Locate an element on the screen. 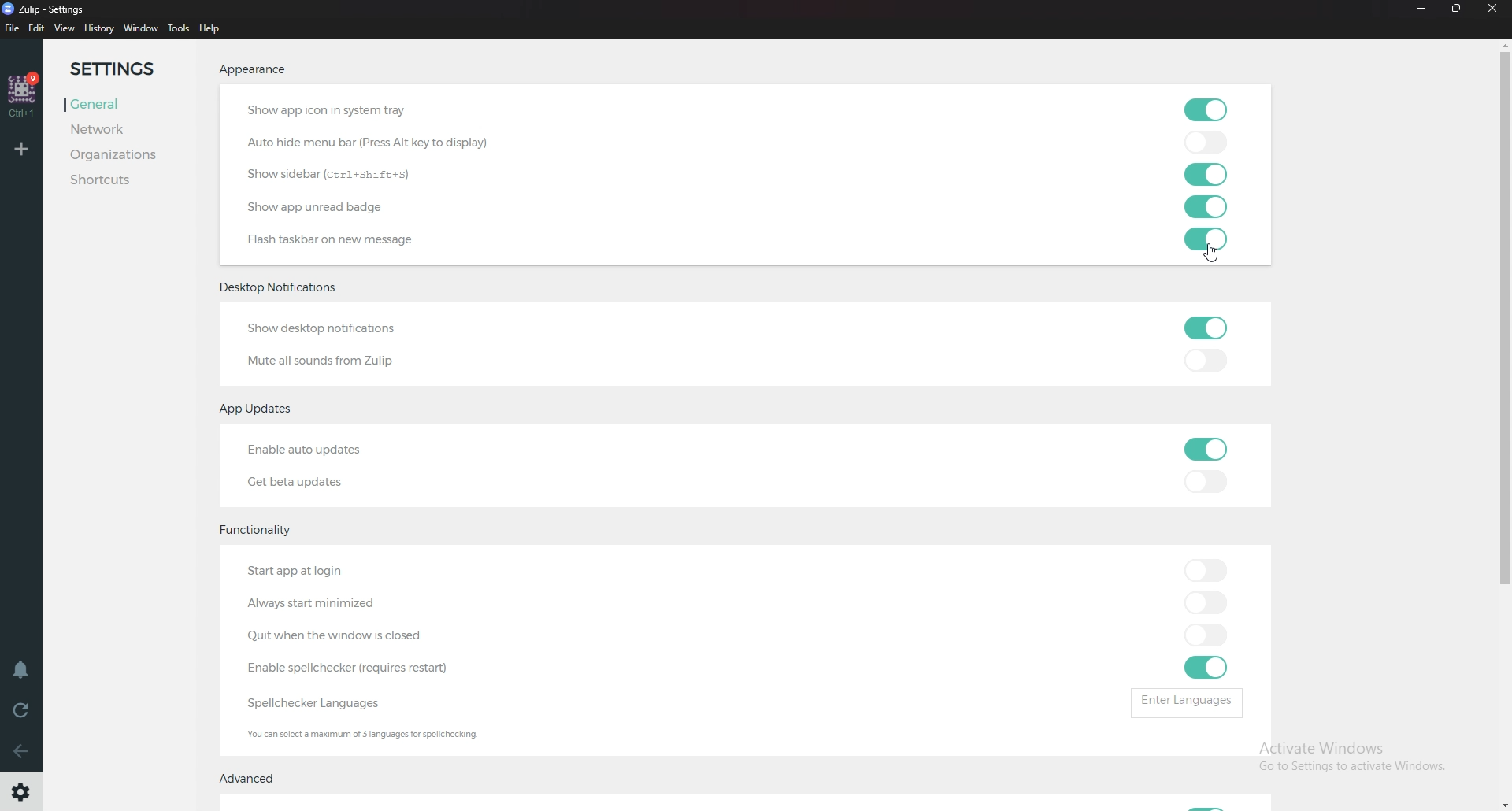 The height and width of the screenshot is (811, 1512). Quit when the window is closed is located at coordinates (337, 636).